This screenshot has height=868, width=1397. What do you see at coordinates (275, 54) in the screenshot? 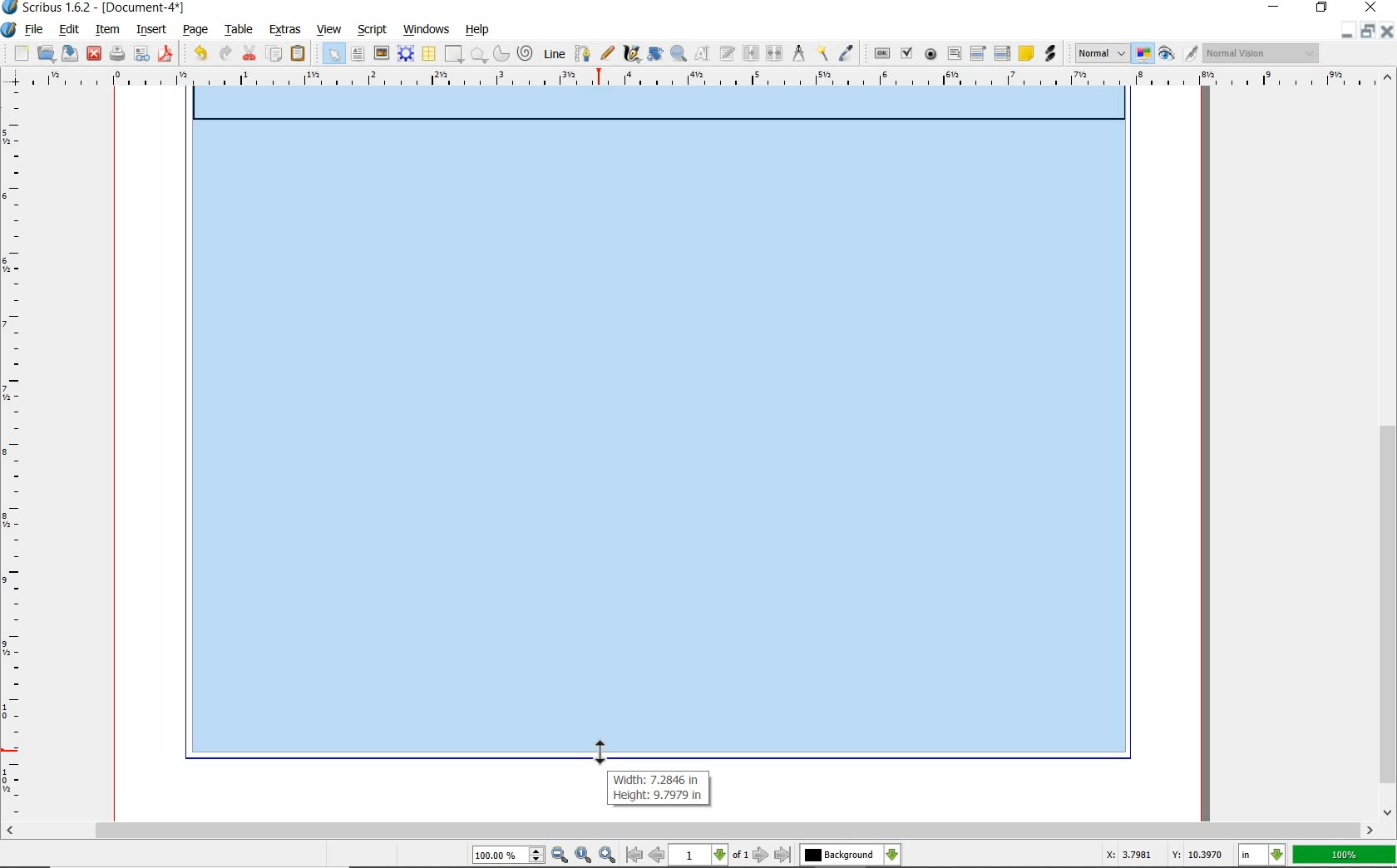
I see `copy` at bounding box center [275, 54].